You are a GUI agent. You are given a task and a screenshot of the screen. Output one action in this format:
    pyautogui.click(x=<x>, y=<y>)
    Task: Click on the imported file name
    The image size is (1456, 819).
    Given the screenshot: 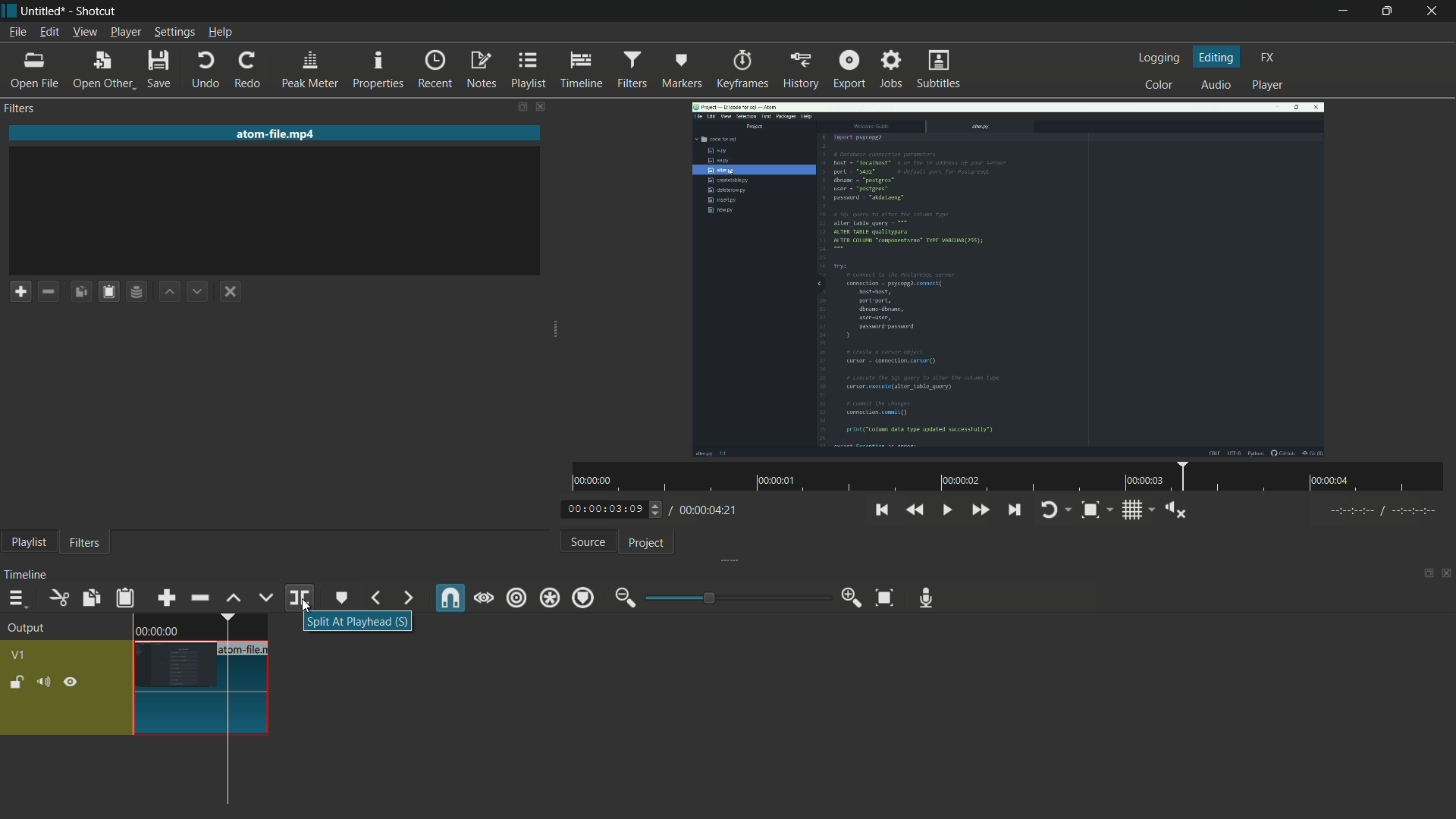 What is the action you would take?
    pyautogui.click(x=277, y=133)
    